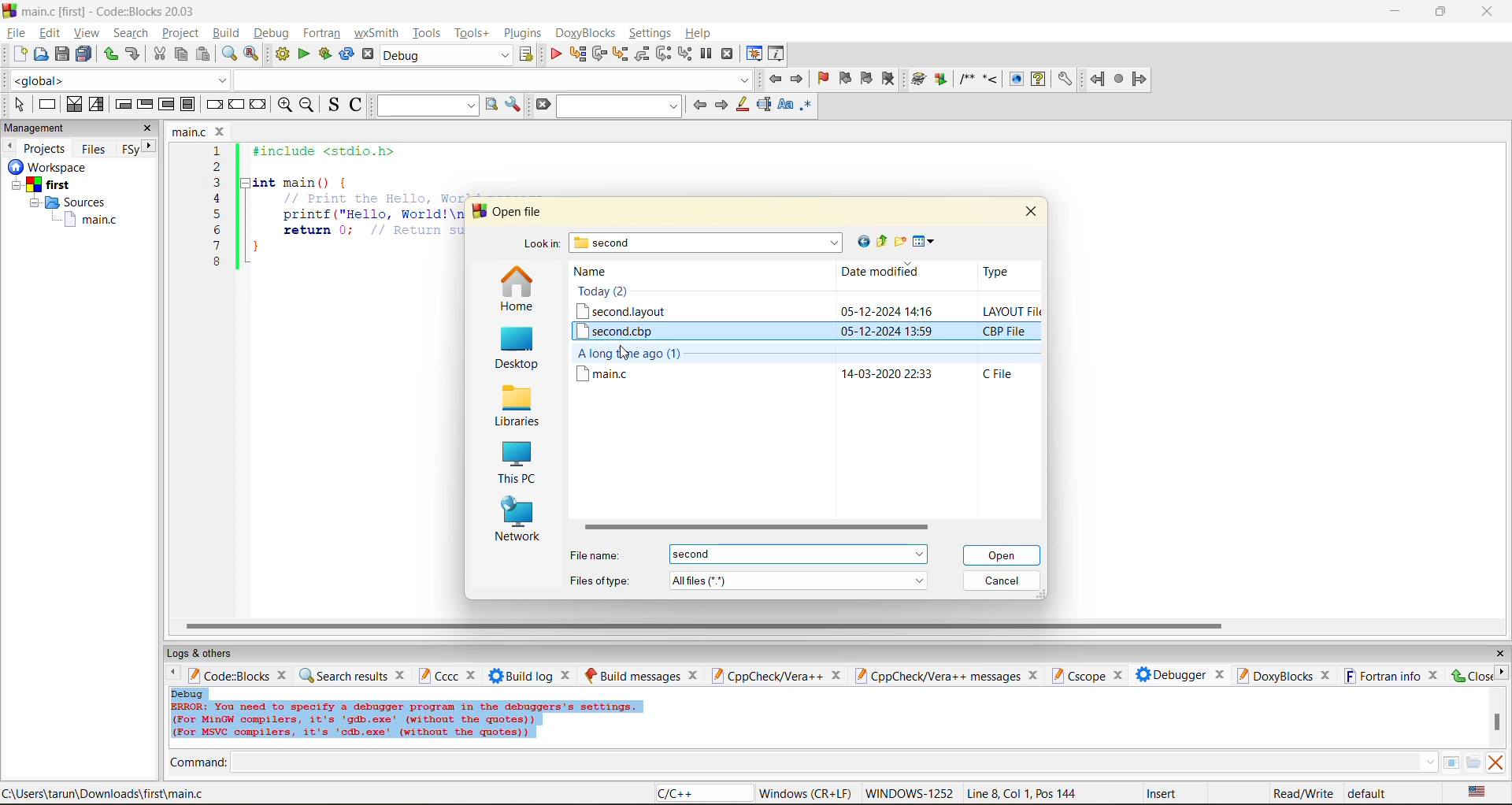 This screenshot has height=805, width=1512. I want to click on stop debugger, so click(728, 54).